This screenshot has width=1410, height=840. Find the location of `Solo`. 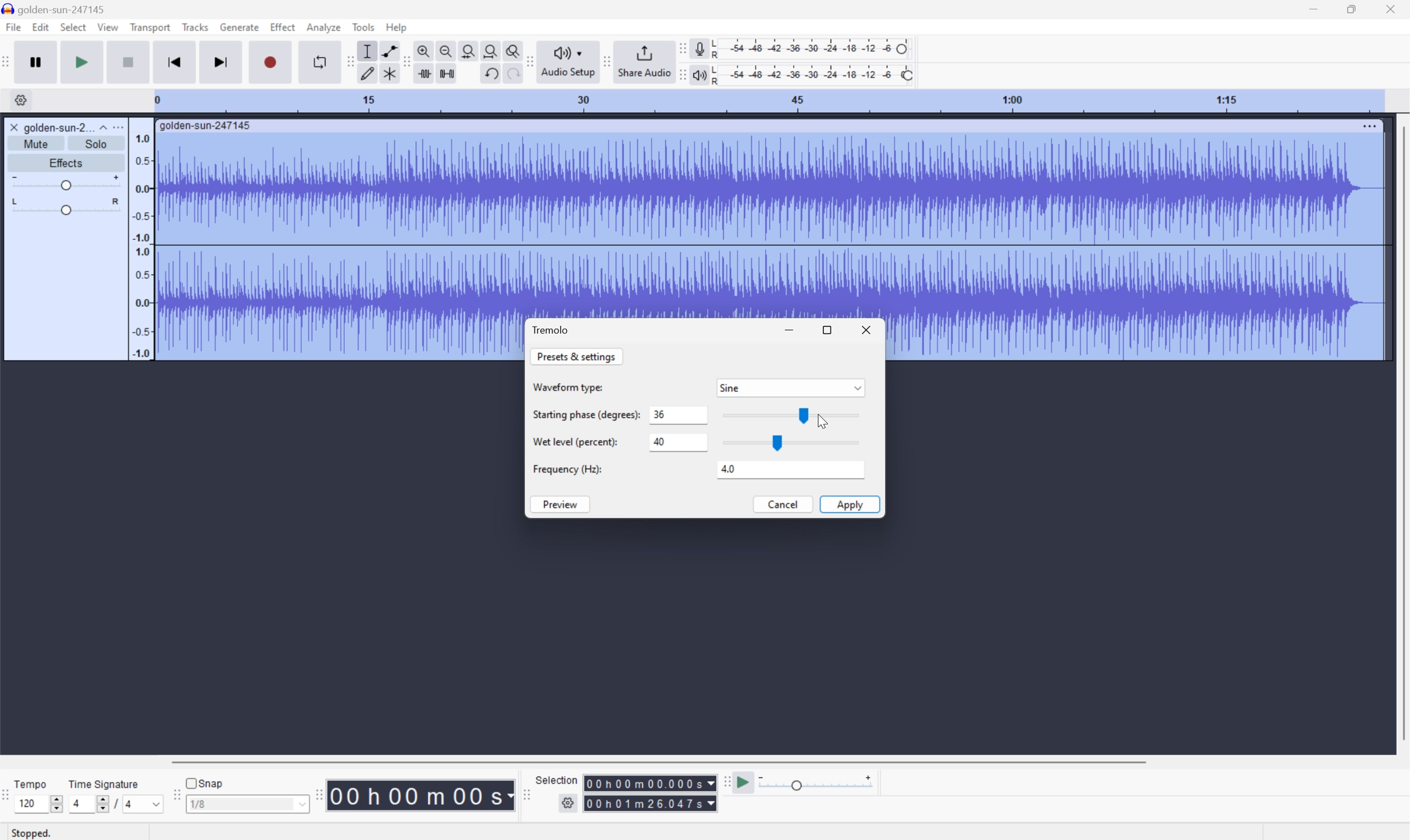

Solo is located at coordinates (96, 143).